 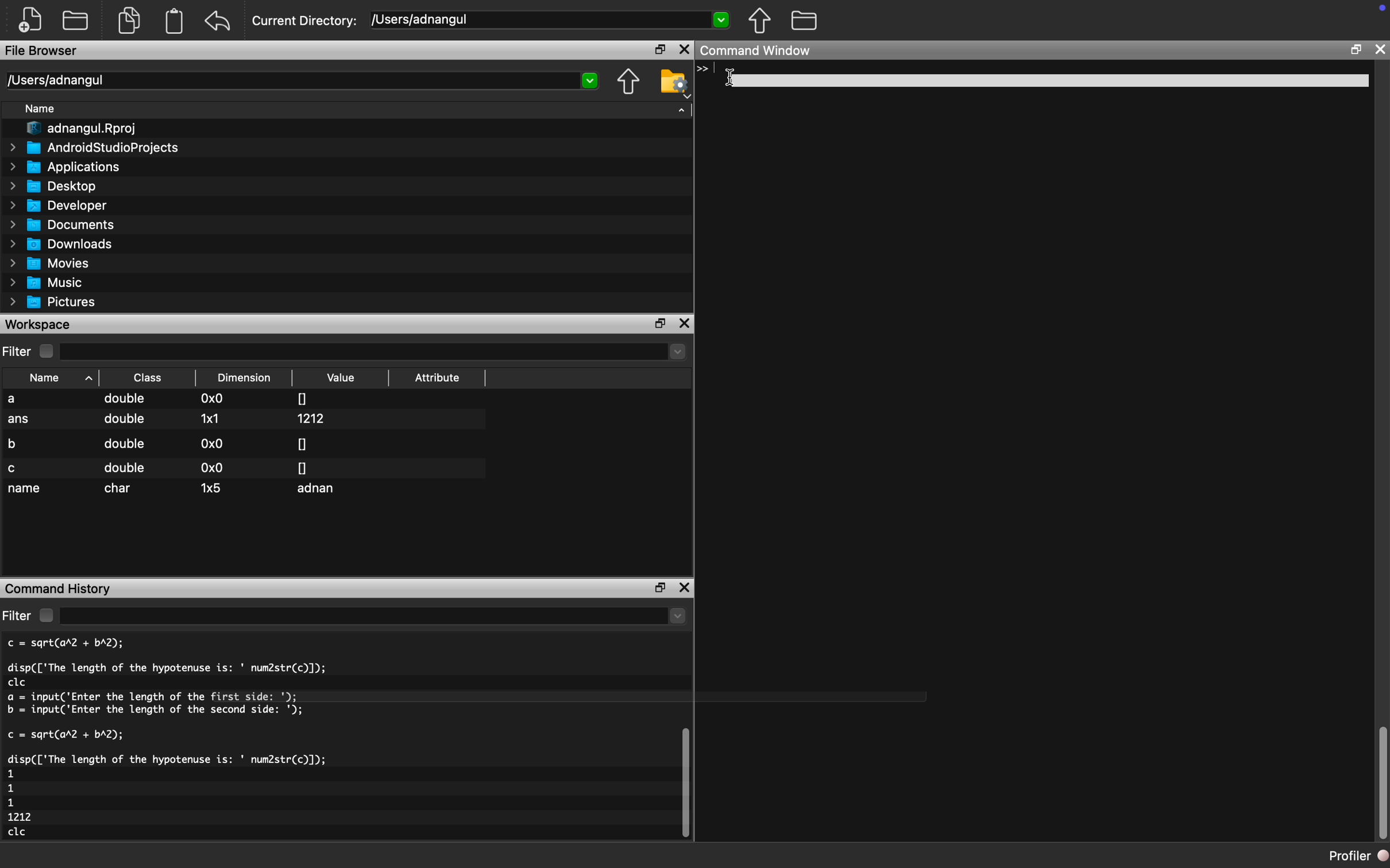 I want to click on move up, so click(x=759, y=20).